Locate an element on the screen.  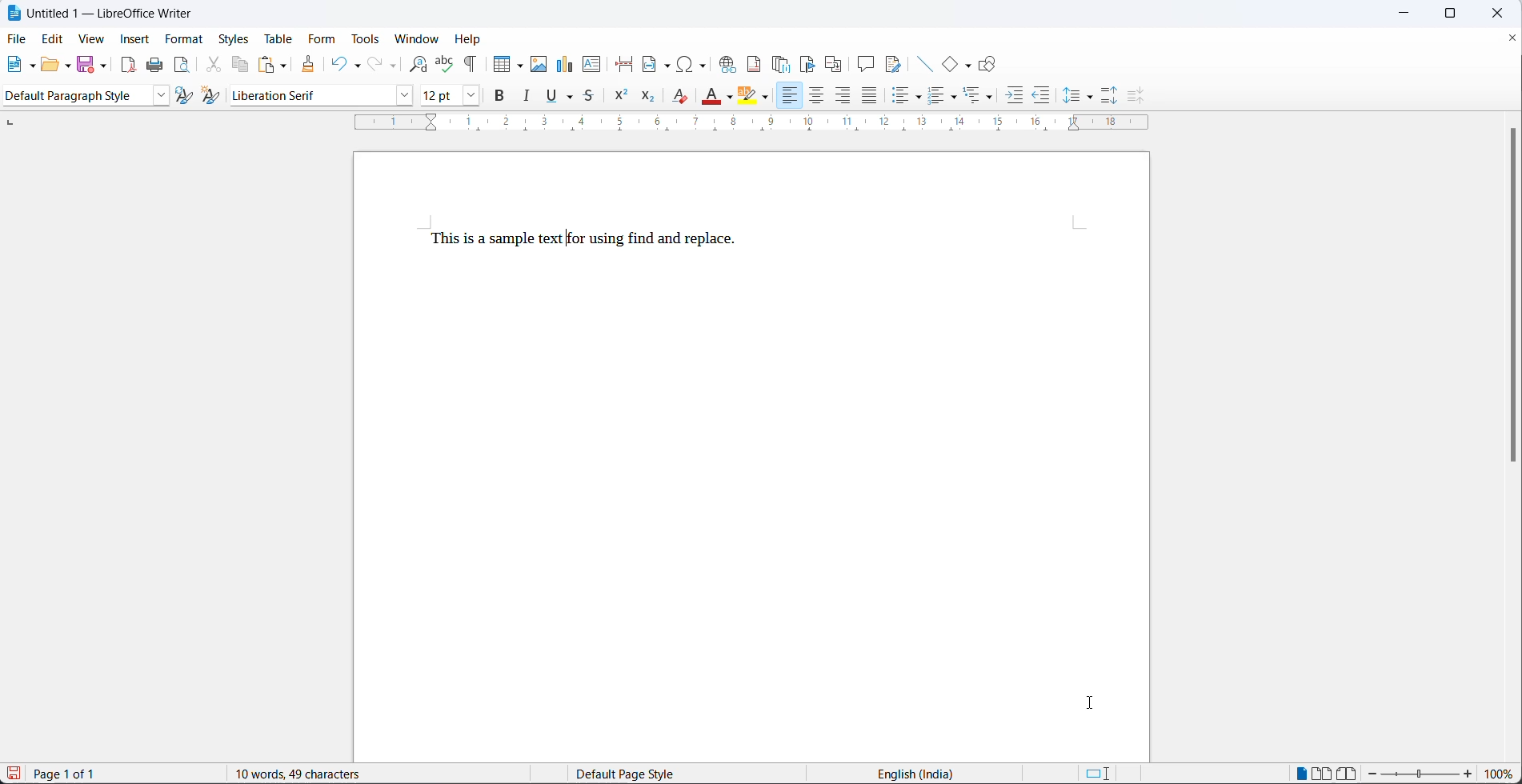
new file is located at coordinates (17, 68).